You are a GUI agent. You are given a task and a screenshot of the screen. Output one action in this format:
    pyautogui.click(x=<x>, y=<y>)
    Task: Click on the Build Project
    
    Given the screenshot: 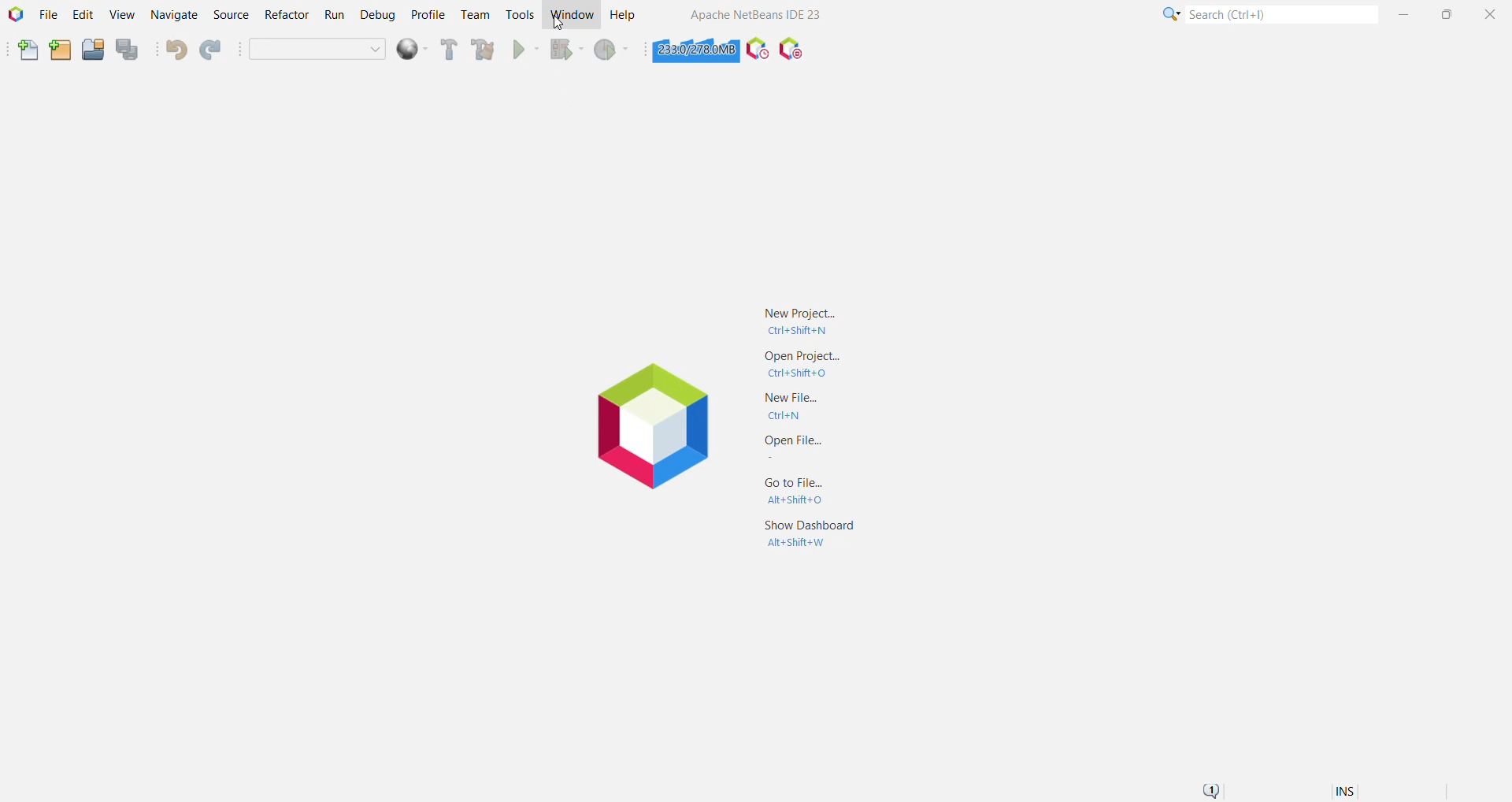 What is the action you would take?
    pyautogui.click(x=449, y=50)
    